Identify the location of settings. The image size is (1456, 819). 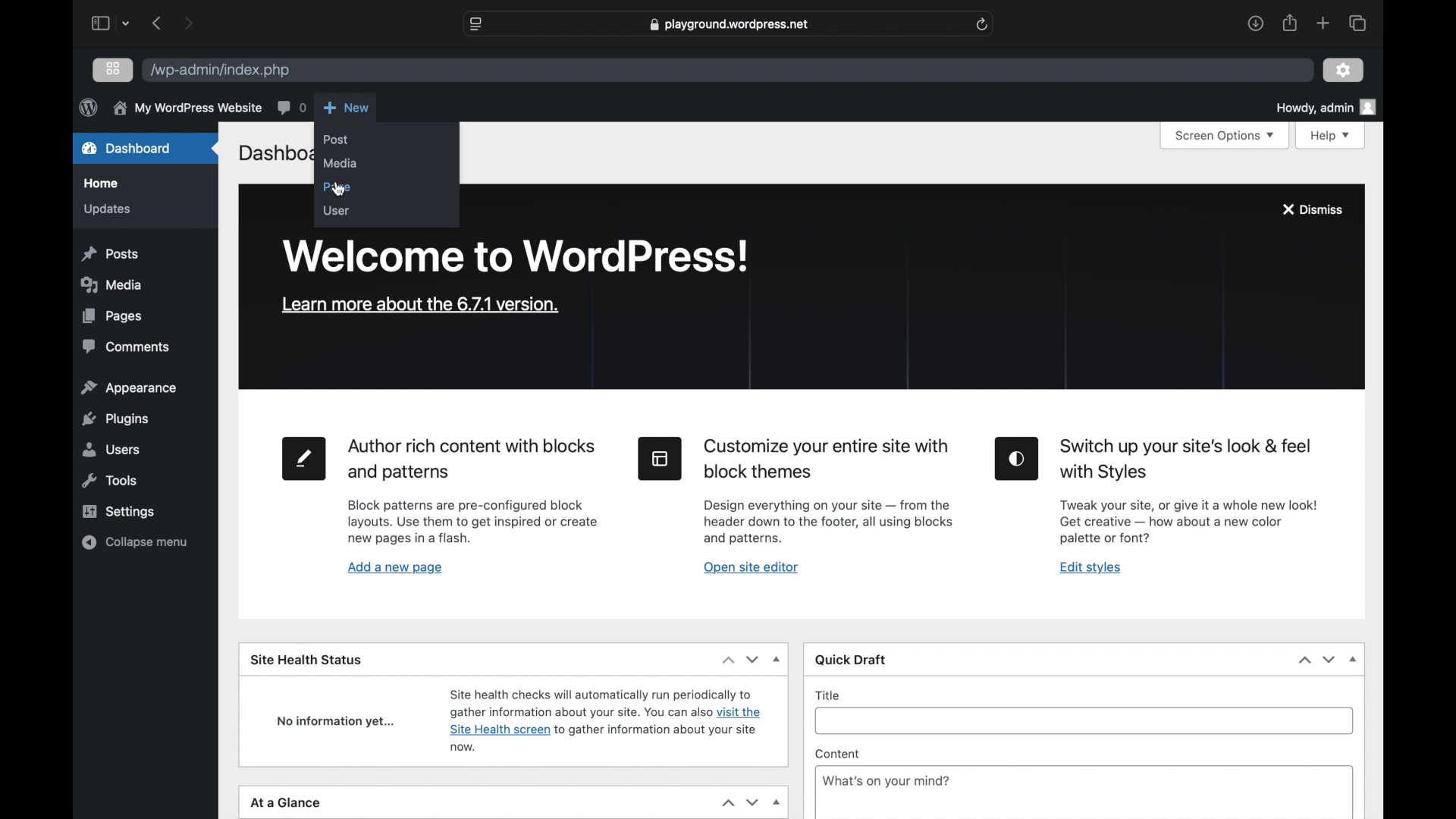
(1344, 71).